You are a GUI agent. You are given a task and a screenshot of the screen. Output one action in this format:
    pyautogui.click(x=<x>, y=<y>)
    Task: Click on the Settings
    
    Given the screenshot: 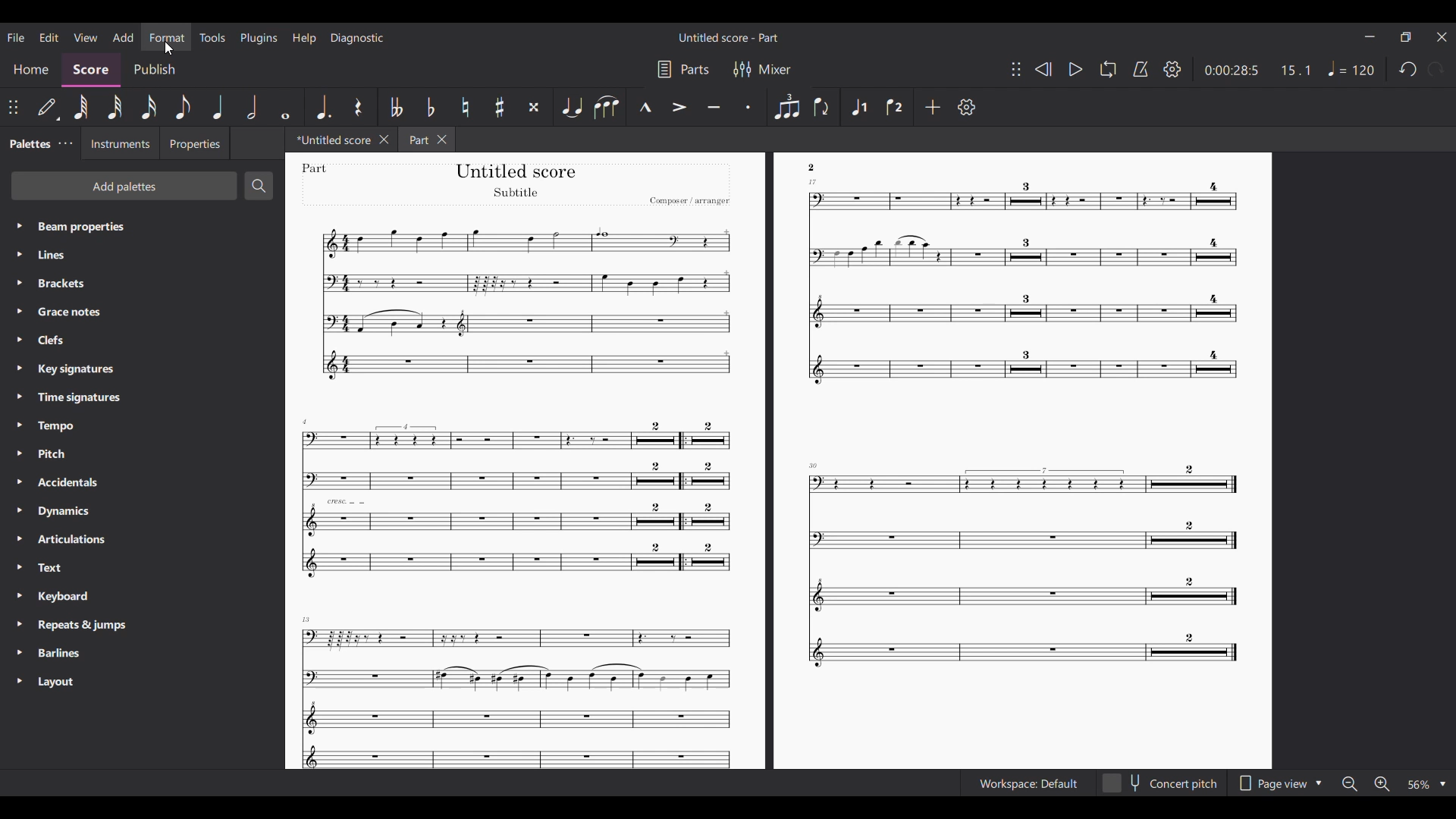 What is the action you would take?
    pyautogui.click(x=1172, y=69)
    